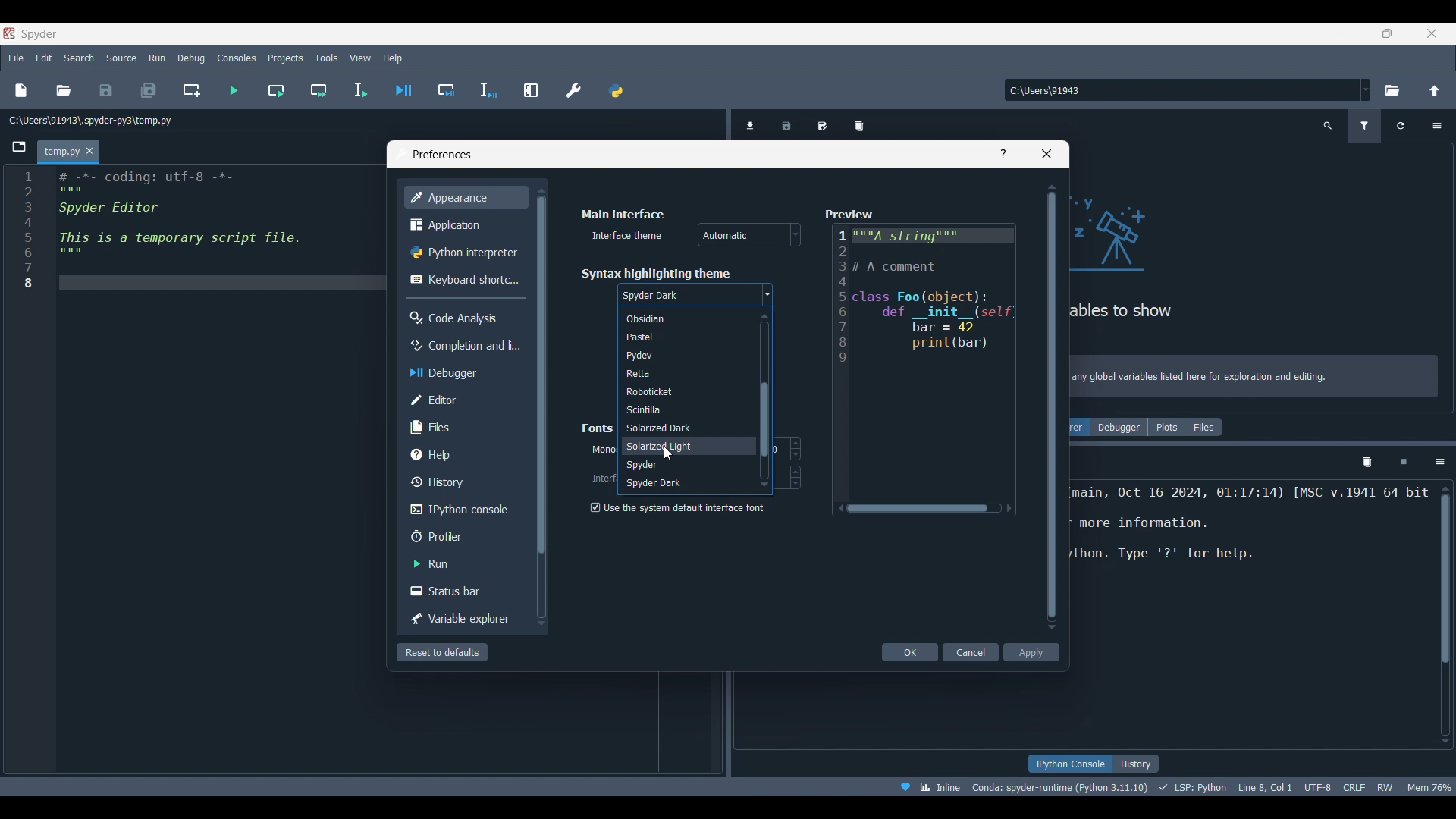  Describe the element at coordinates (674, 466) in the screenshot. I see `spyder` at that location.